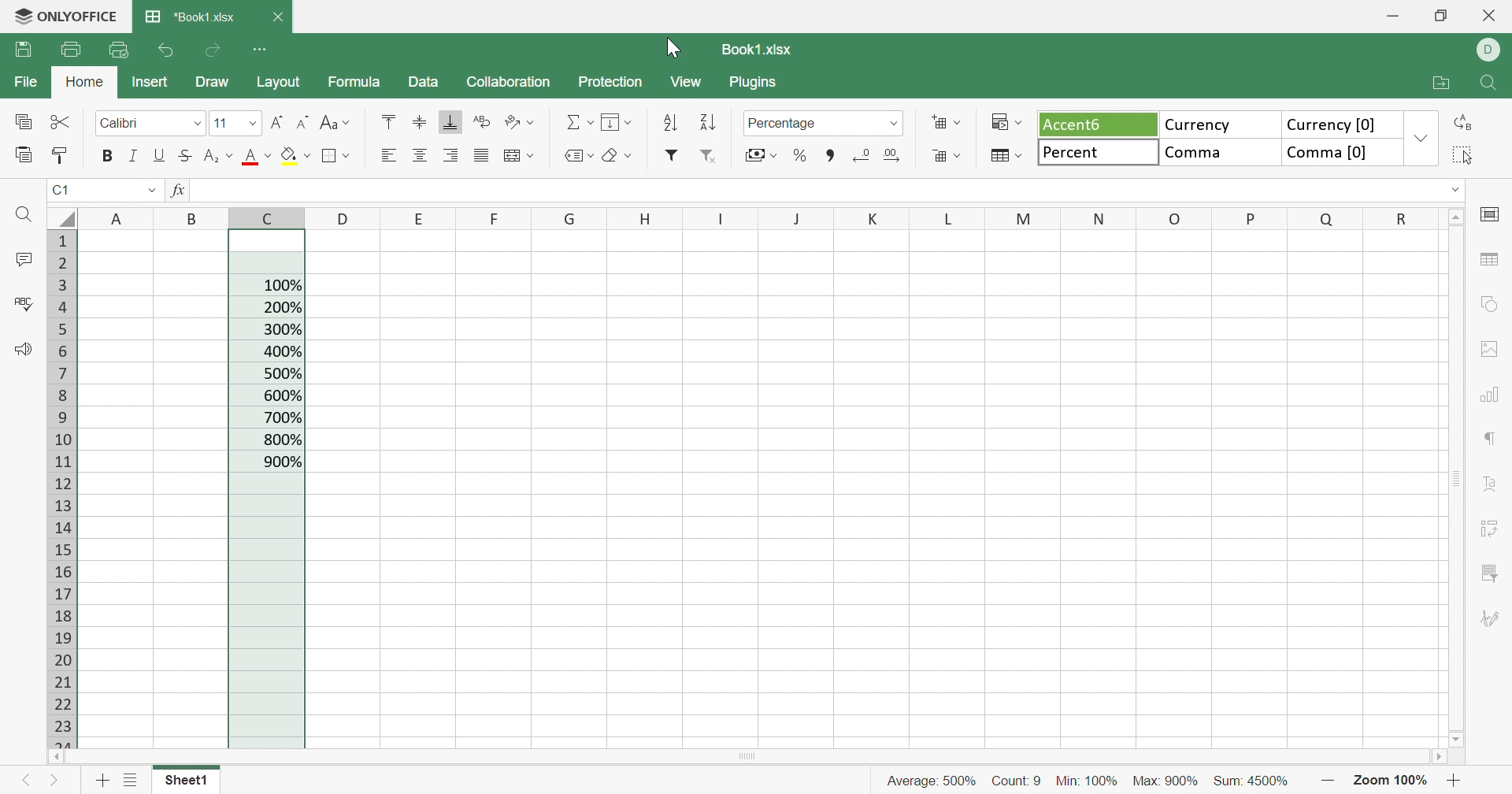 This screenshot has width=1512, height=794. I want to click on Replace, so click(1462, 124).